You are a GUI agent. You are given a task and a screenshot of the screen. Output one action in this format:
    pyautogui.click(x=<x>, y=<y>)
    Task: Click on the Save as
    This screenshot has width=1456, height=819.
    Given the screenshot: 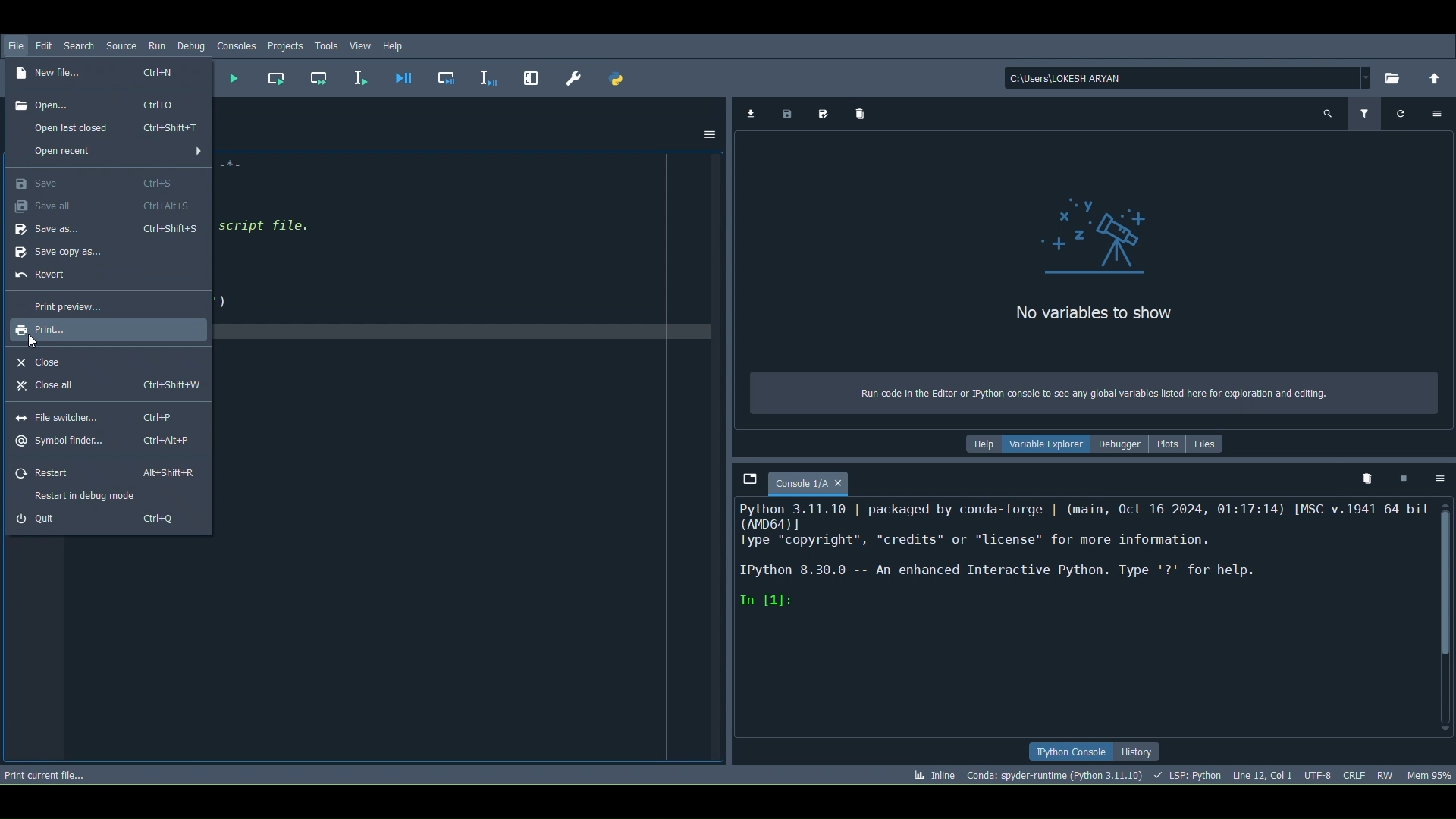 What is the action you would take?
    pyautogui.click(x=105, y=233)
    